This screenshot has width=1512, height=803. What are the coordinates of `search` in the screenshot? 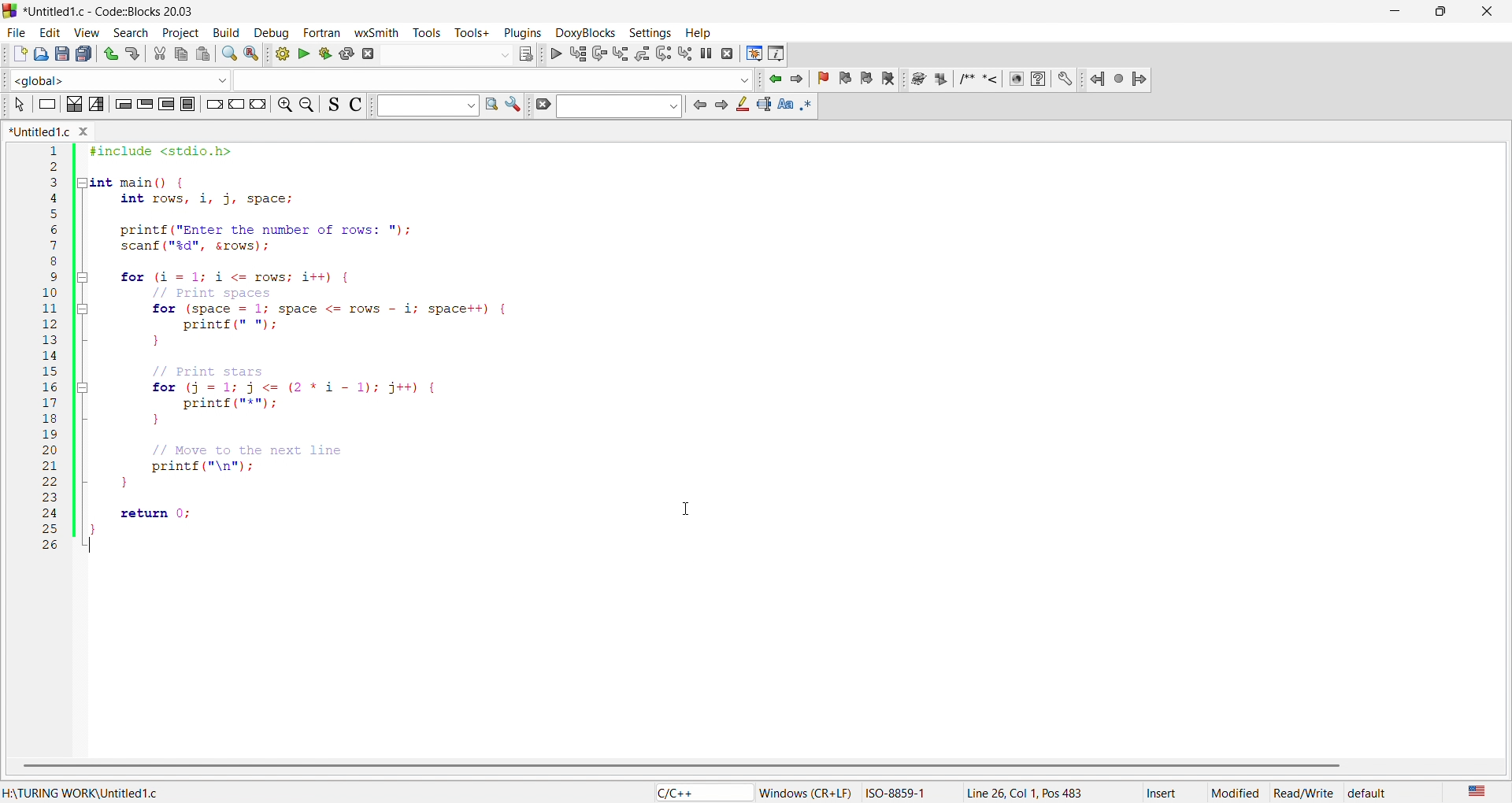 It's located at (224, 54).